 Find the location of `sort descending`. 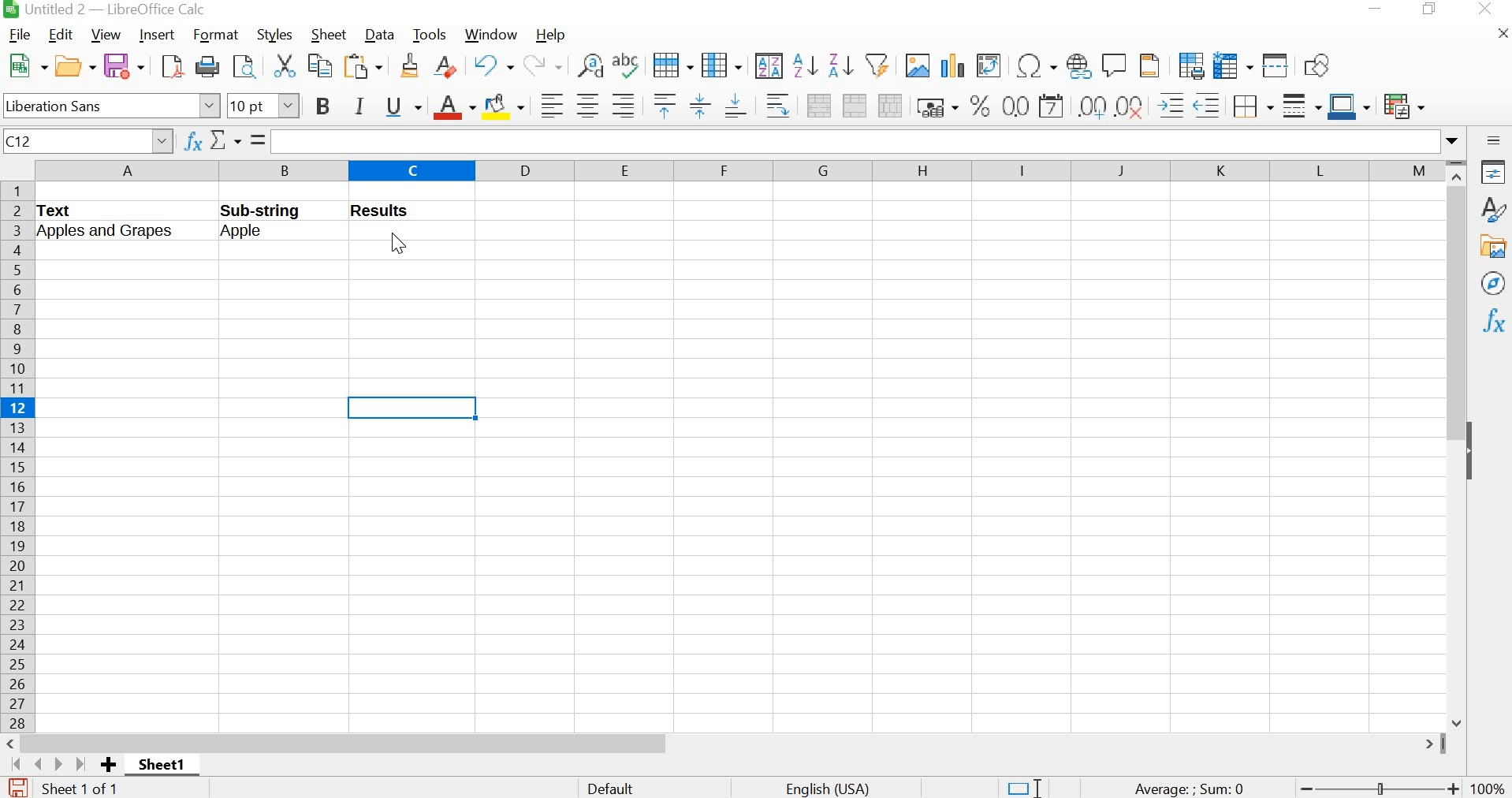

sort descending is located at coordinates (840, 65).